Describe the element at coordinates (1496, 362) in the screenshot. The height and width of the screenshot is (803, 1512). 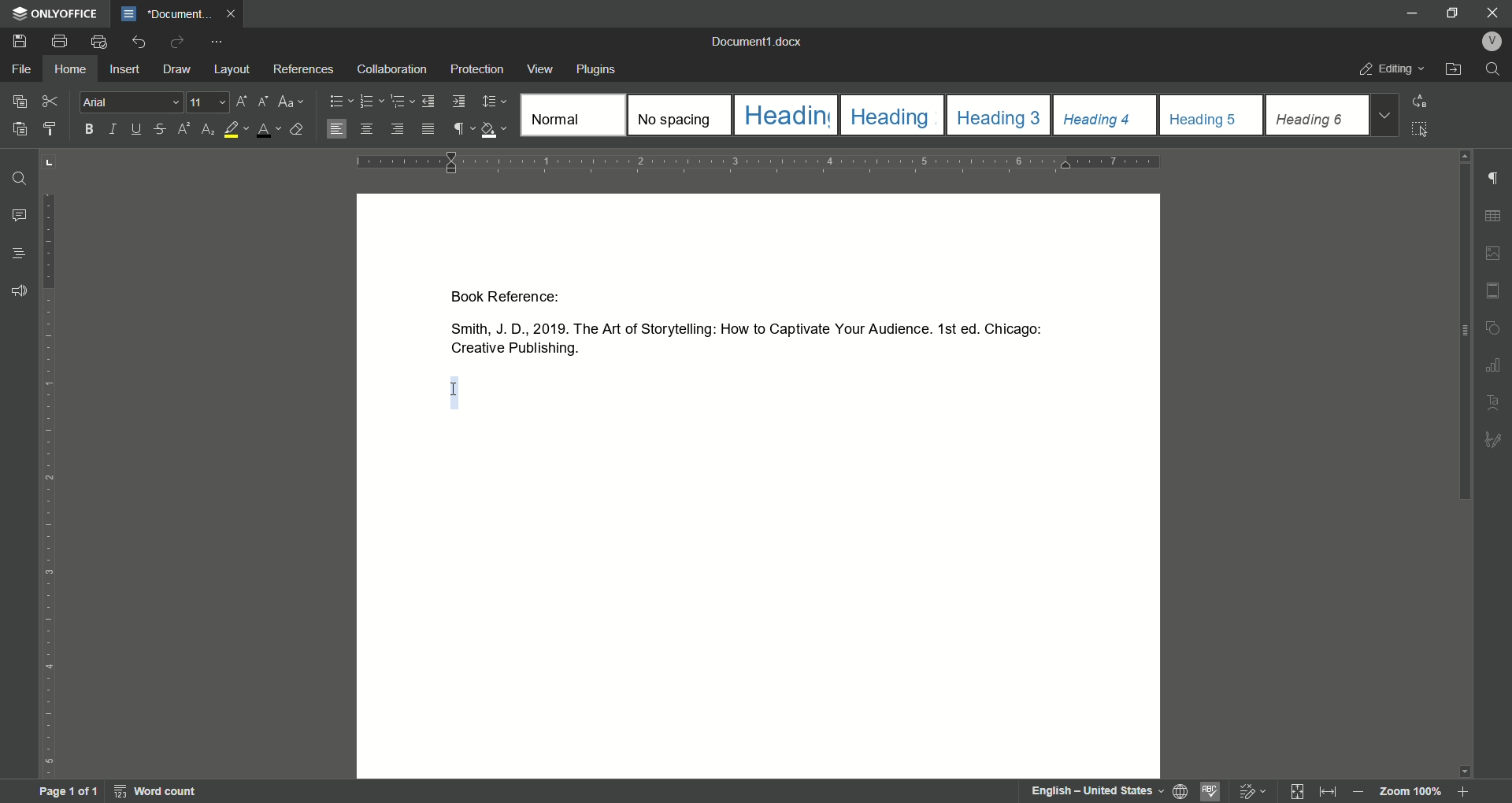
I see `chart` at that location.